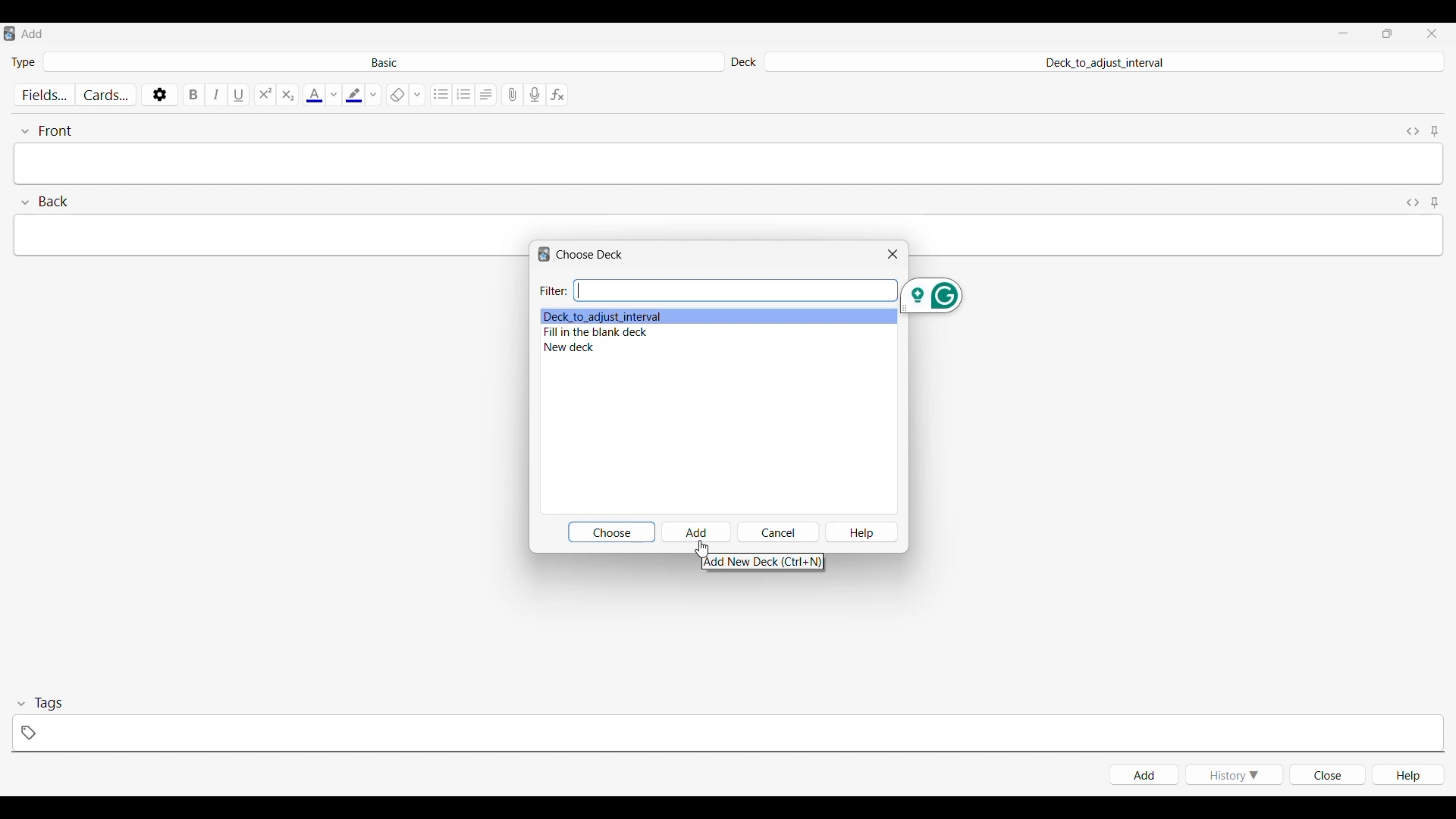  What do you see at coordinates (930, 297) in the screenshot?
I see `Grammarly extension` at bounding box center [930, 297].